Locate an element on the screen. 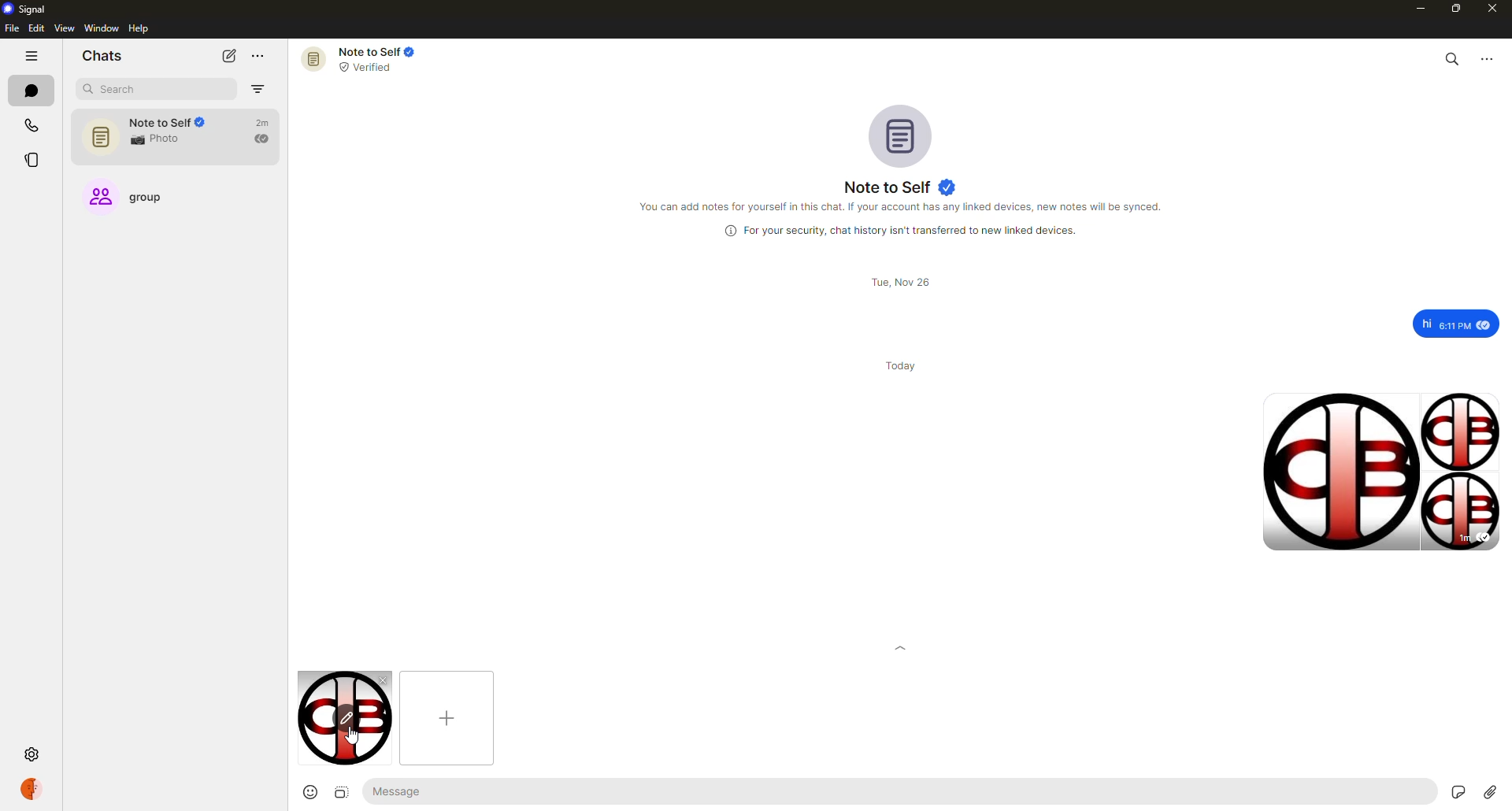  maximize is located at coordinates (1452, 8).